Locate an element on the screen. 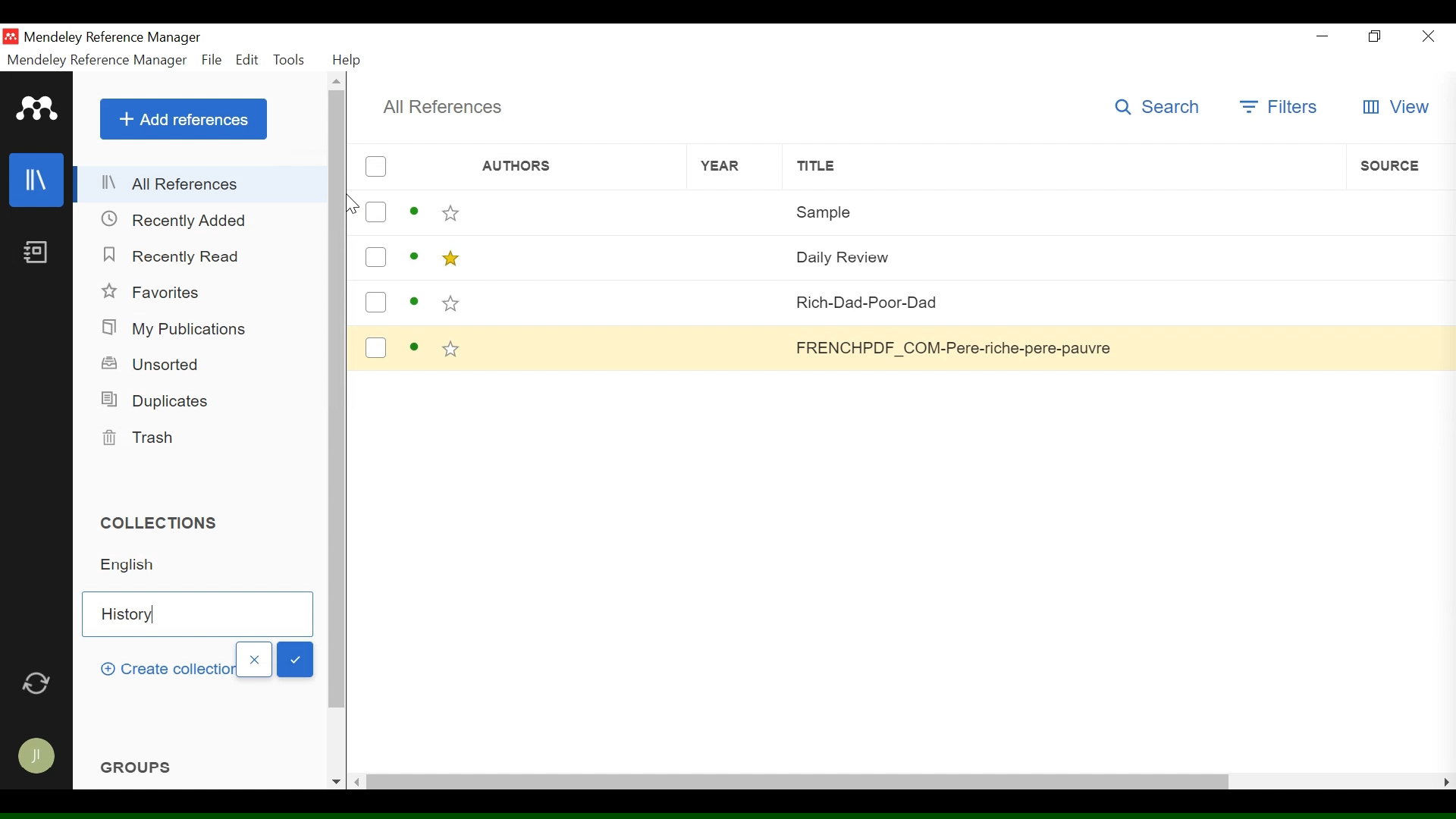 Image resolution: width=1456 pixels, height=819 pixels. Authors is located at coordinates (579, 349).